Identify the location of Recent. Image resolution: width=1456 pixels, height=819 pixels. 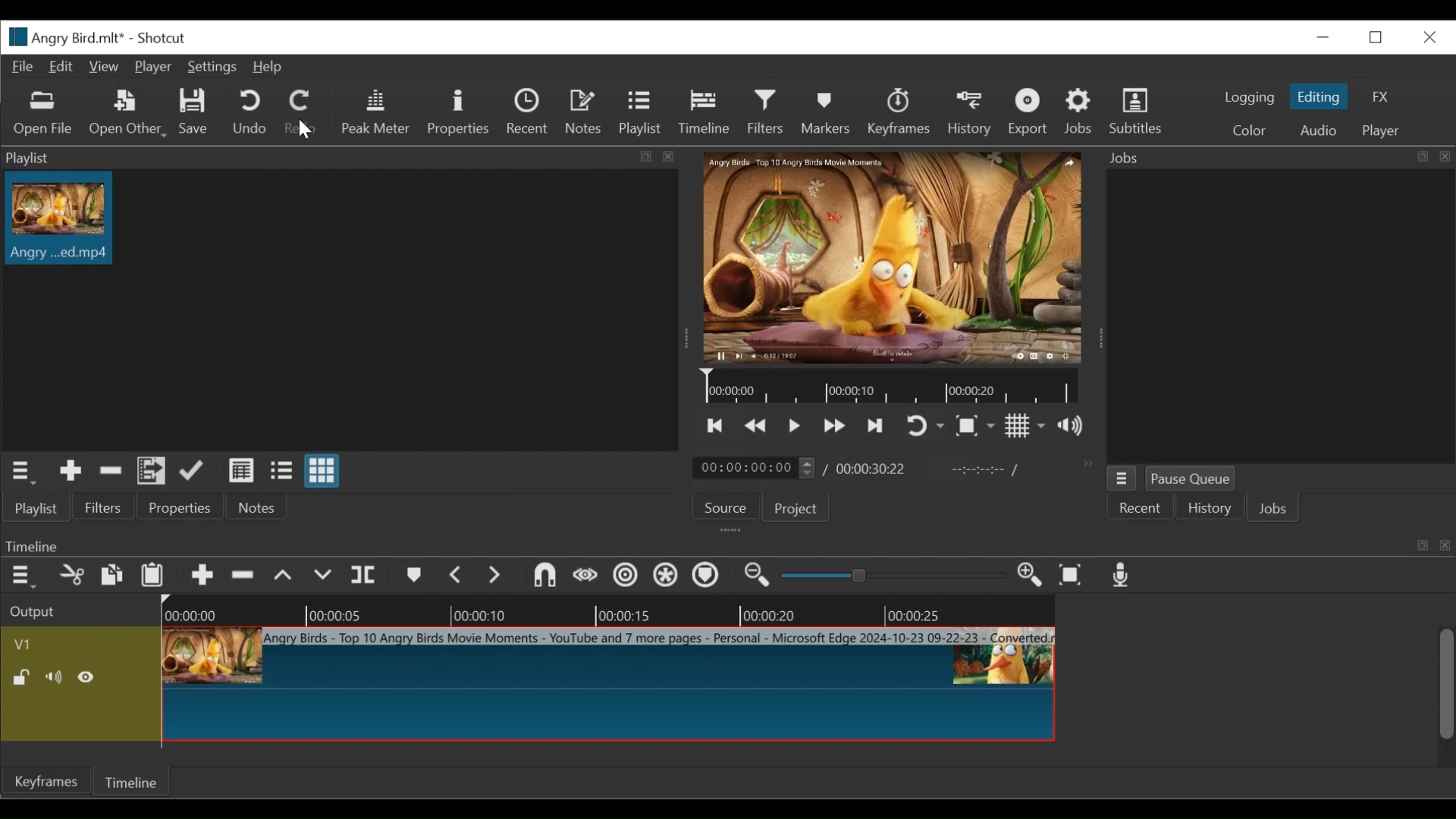
(1141, 508).